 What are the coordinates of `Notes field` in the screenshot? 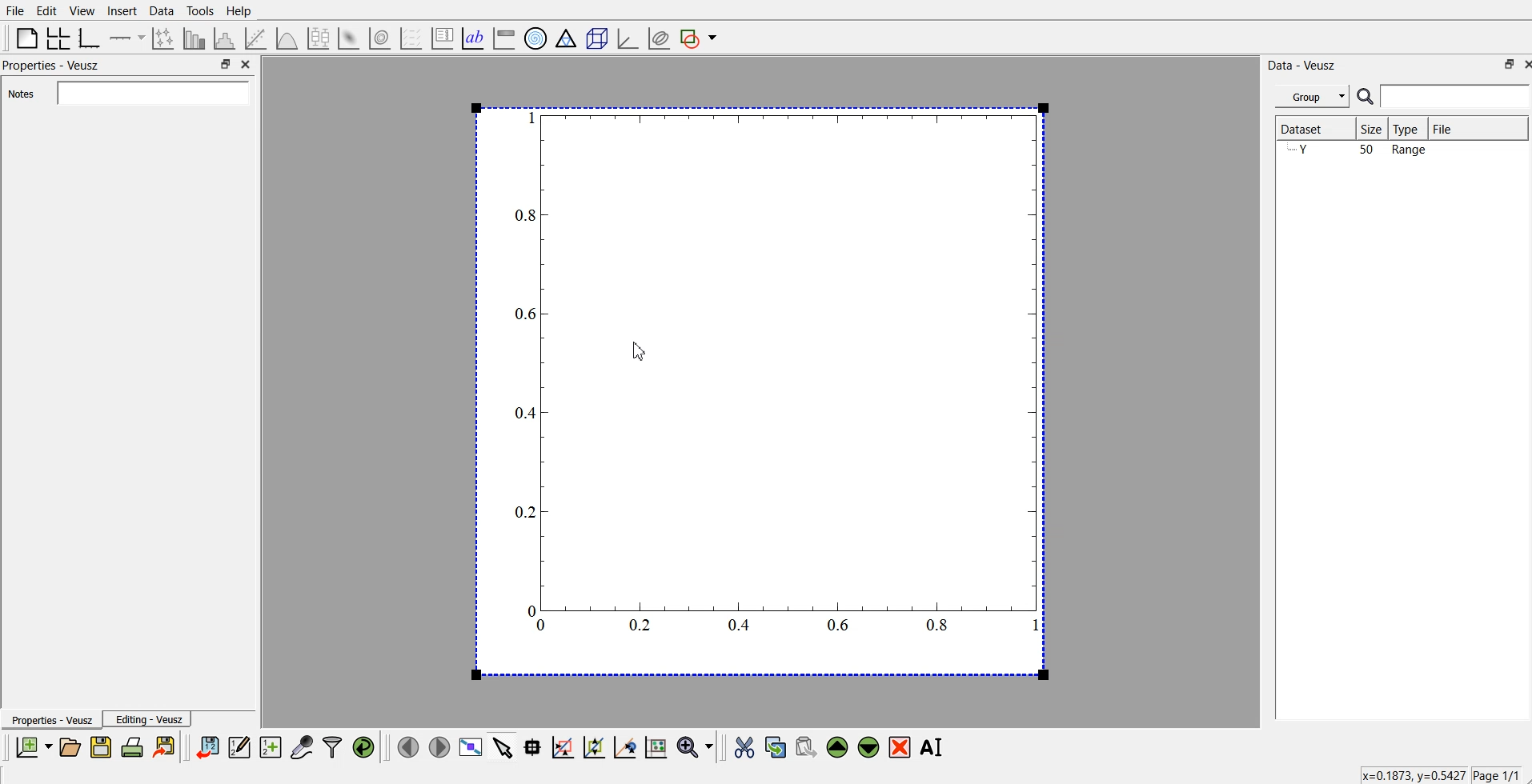 It's located at (151, 92).